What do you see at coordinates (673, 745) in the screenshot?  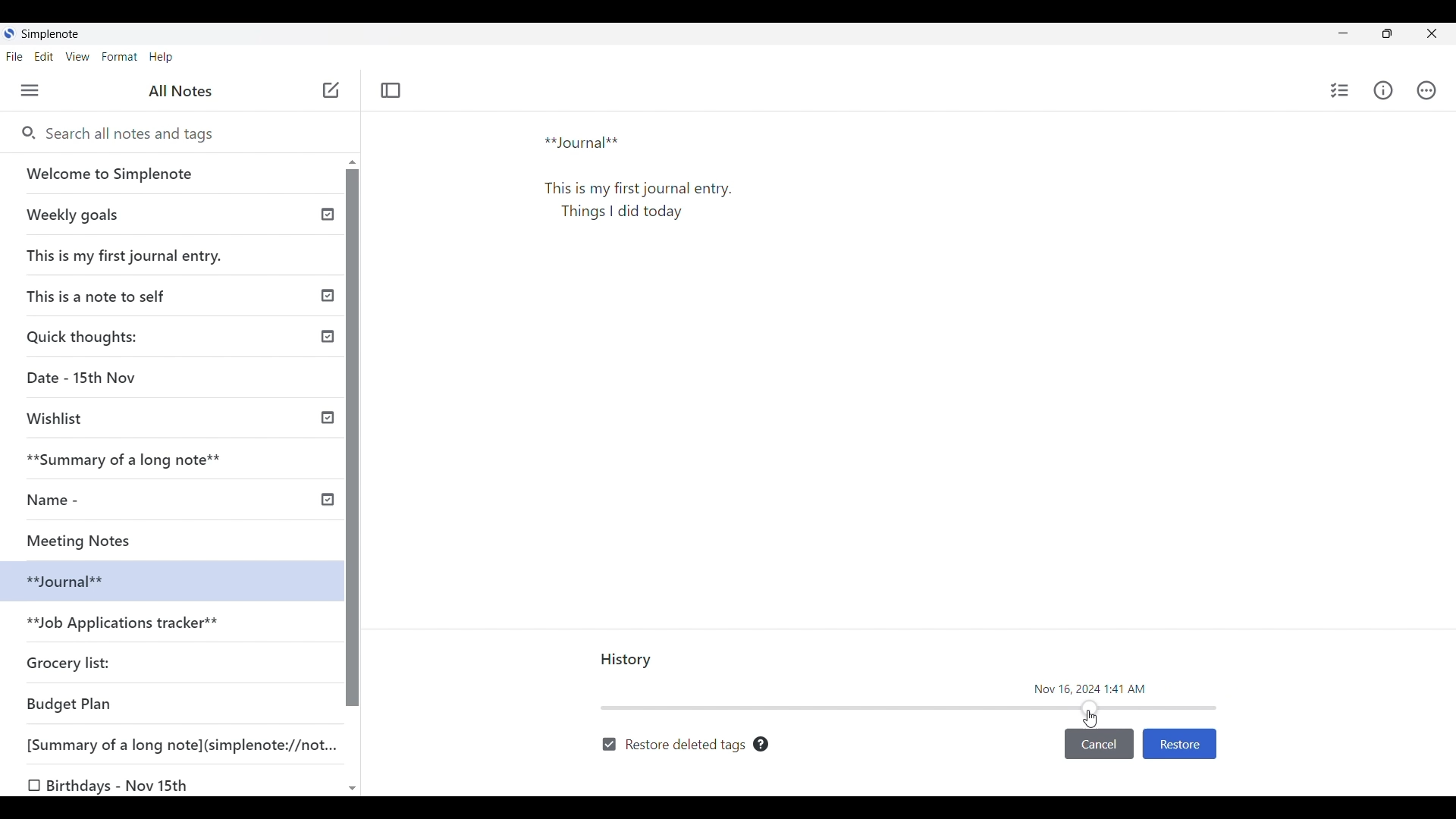 I see `Toggle to restore deleted tags` at bounding box center [673, 745].